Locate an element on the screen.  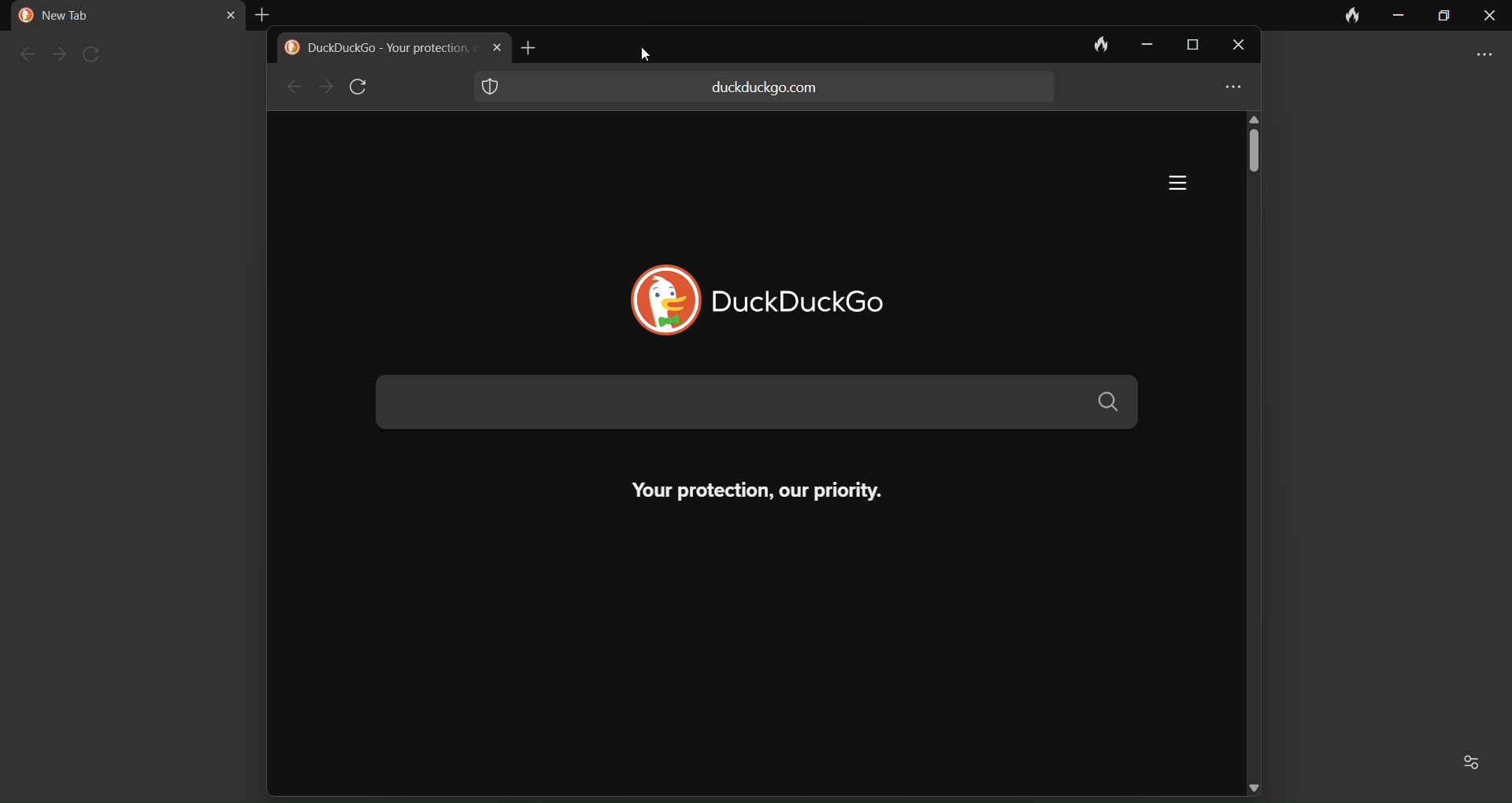
next is located at coordinates (324, 87).